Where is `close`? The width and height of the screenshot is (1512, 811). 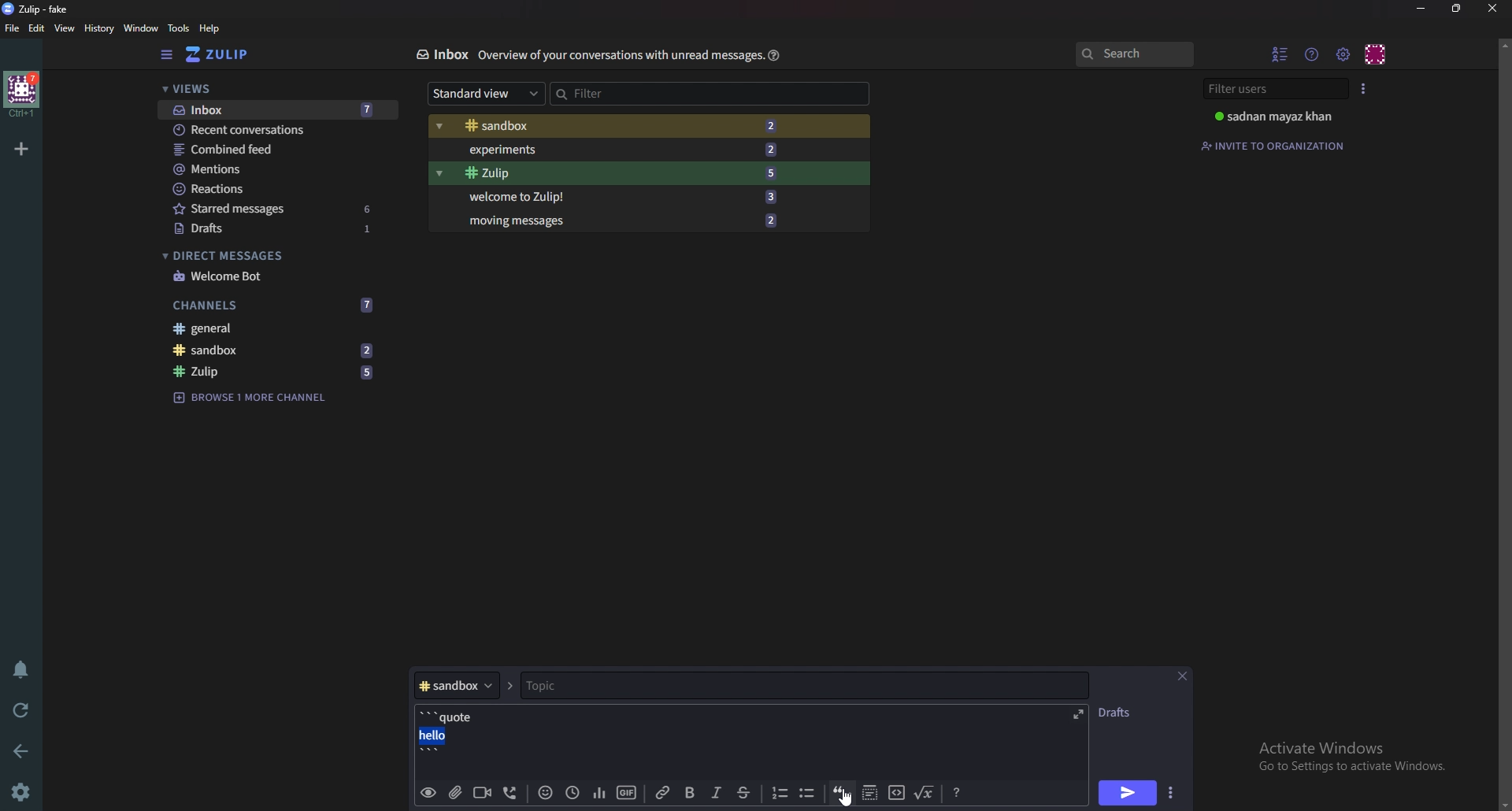 close is located at coordinates (1182, 674).